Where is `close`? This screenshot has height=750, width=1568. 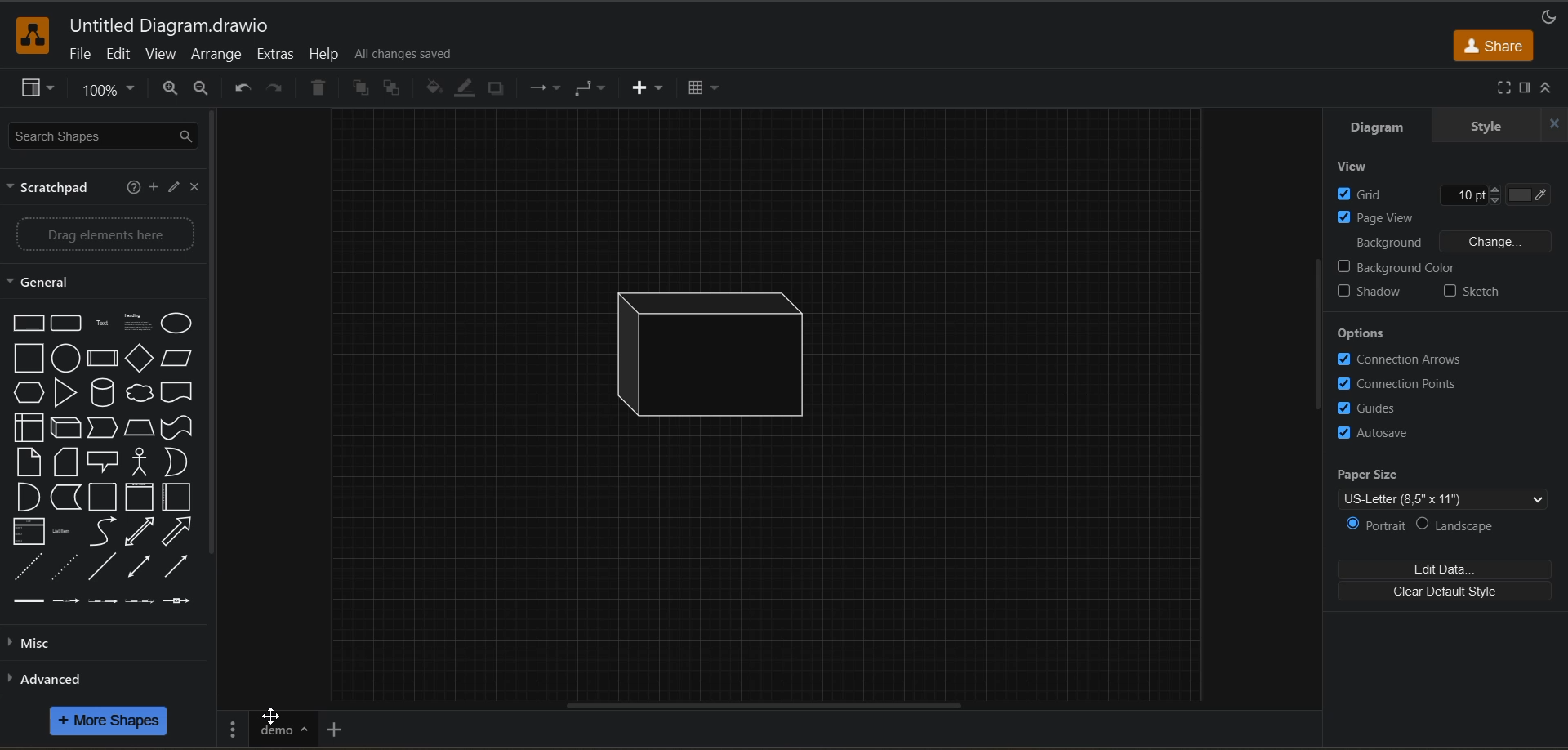
close is located at coordinates (1555, 124).